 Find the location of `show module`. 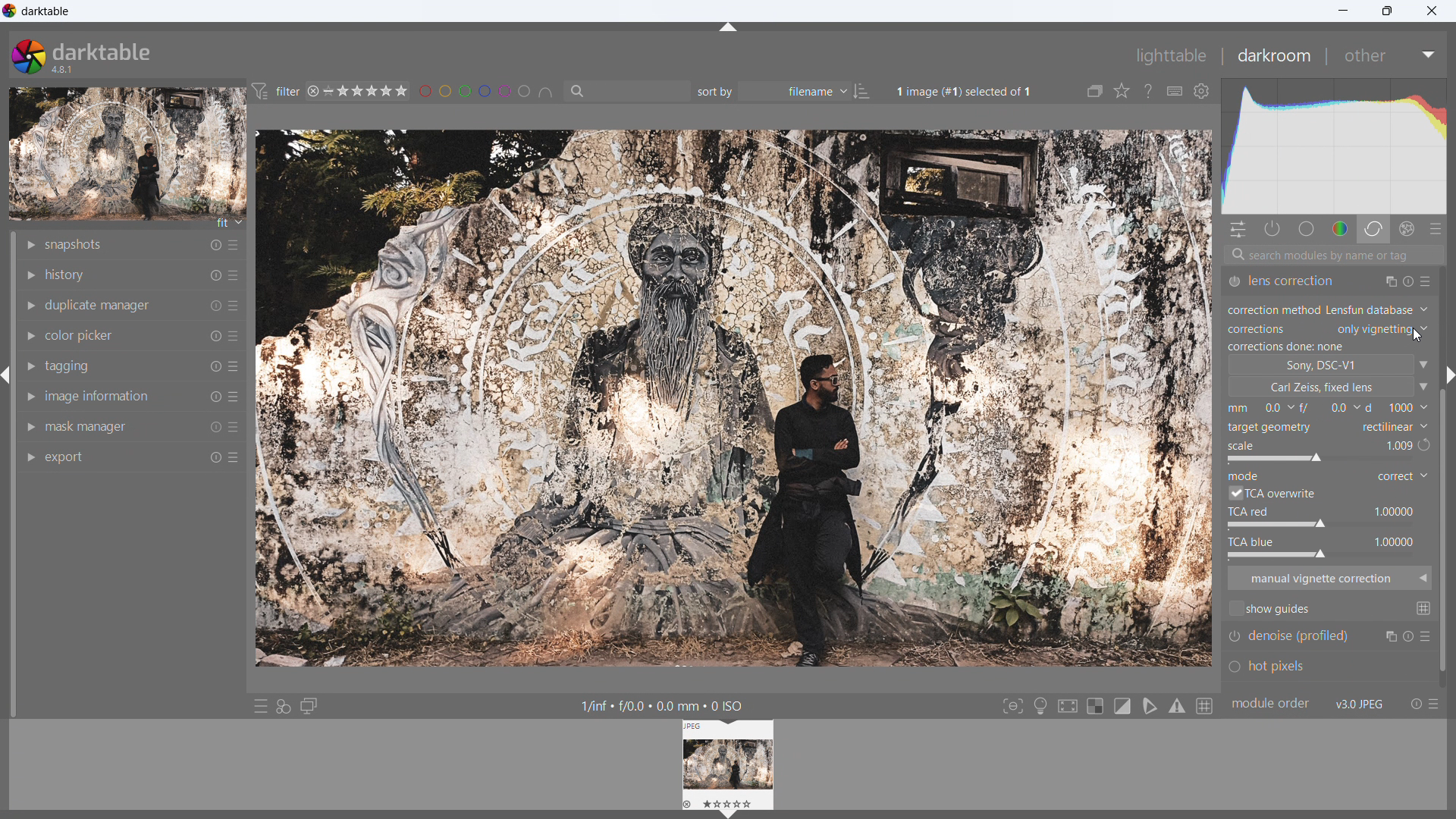

show module is located at coordinates (30, 365).